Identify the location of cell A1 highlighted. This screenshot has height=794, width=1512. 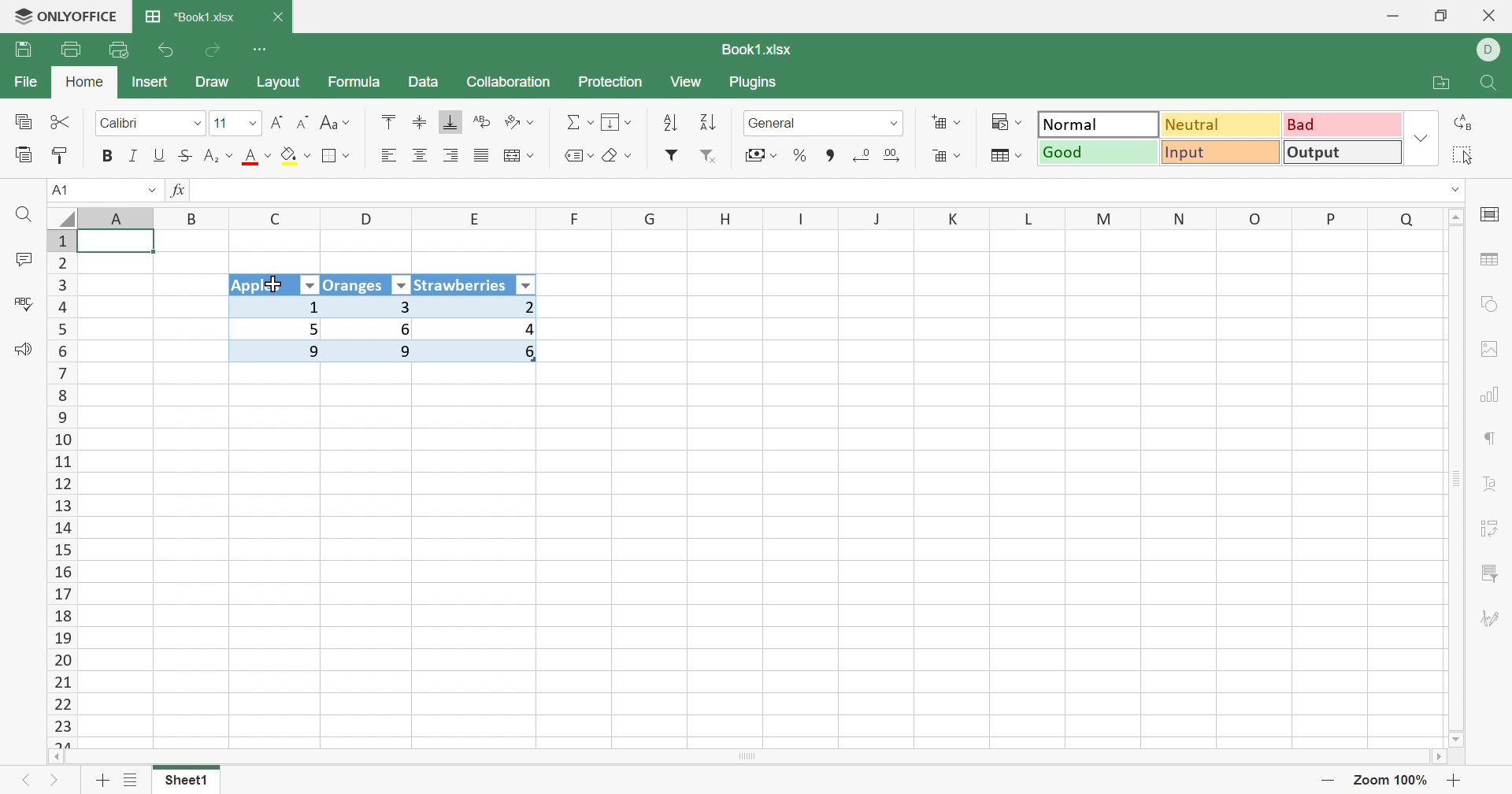
(134, 244).